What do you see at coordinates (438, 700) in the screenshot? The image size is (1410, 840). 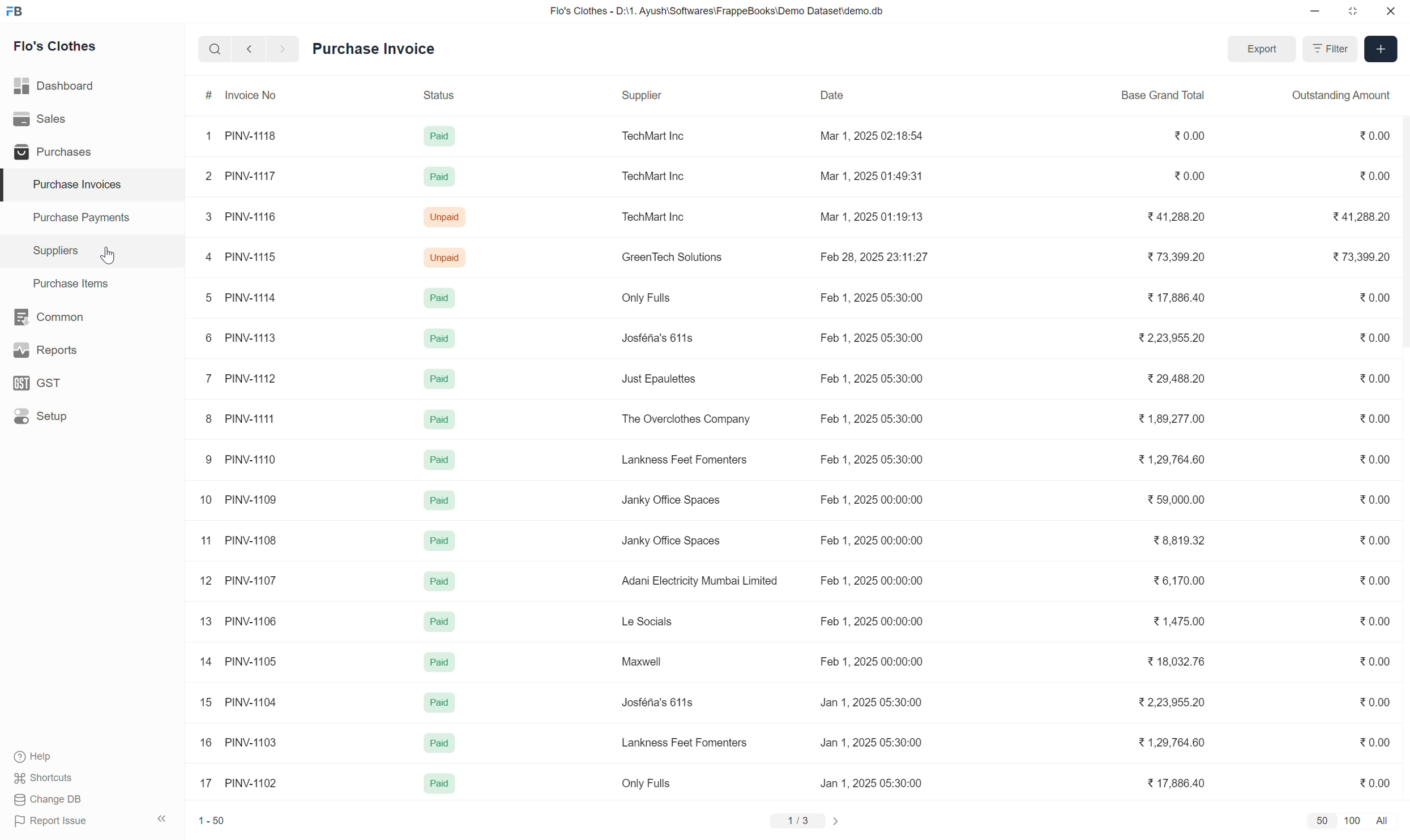 I see `Paid` at bounding box center [438, 700].